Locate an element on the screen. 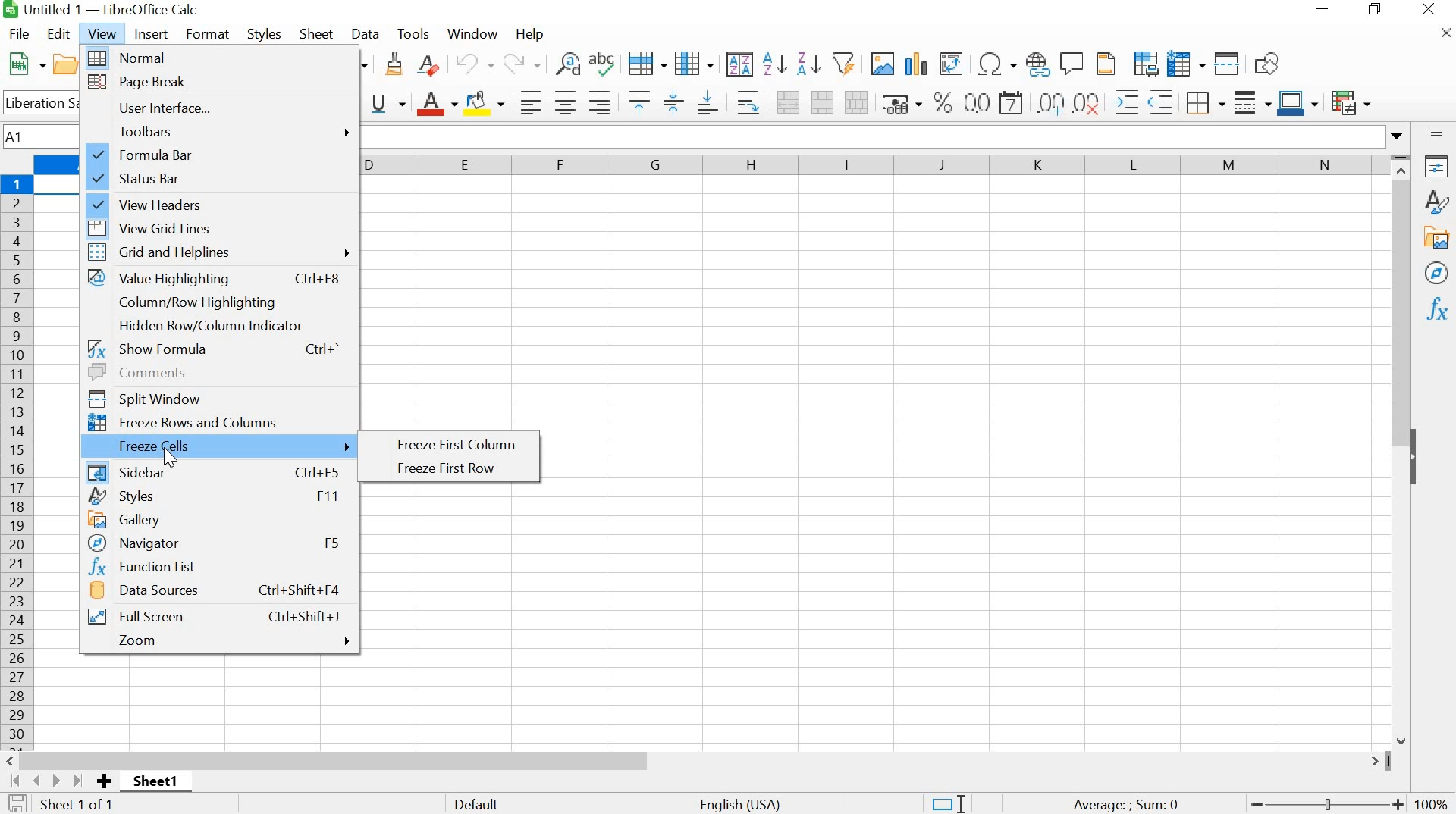 This screenshot has height=814, width=1456. ALIGN TOP is located at coordinates (635, 102).